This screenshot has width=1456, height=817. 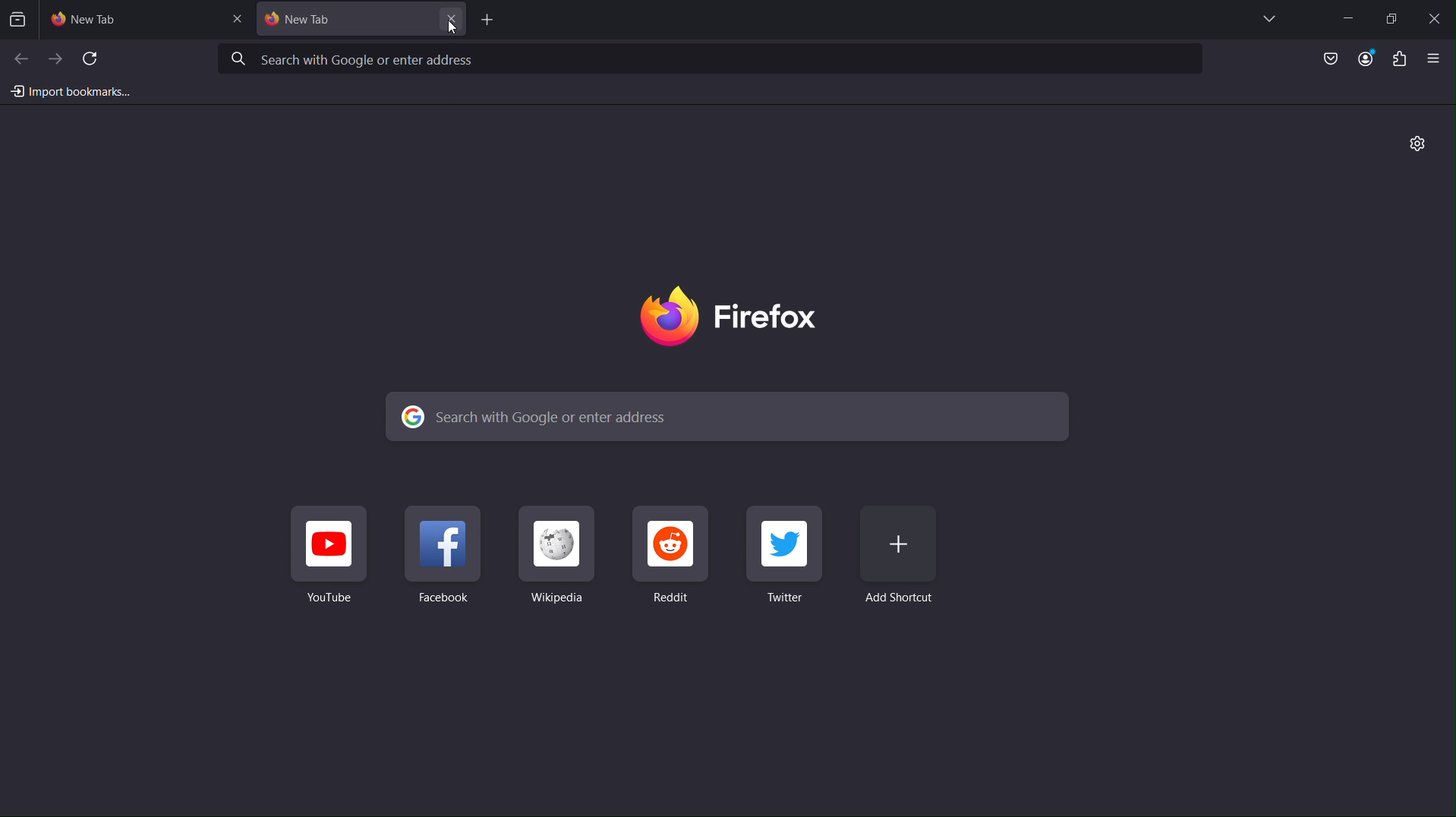 I want to click on Facebook Shortcut, so click(x=449, y=560).